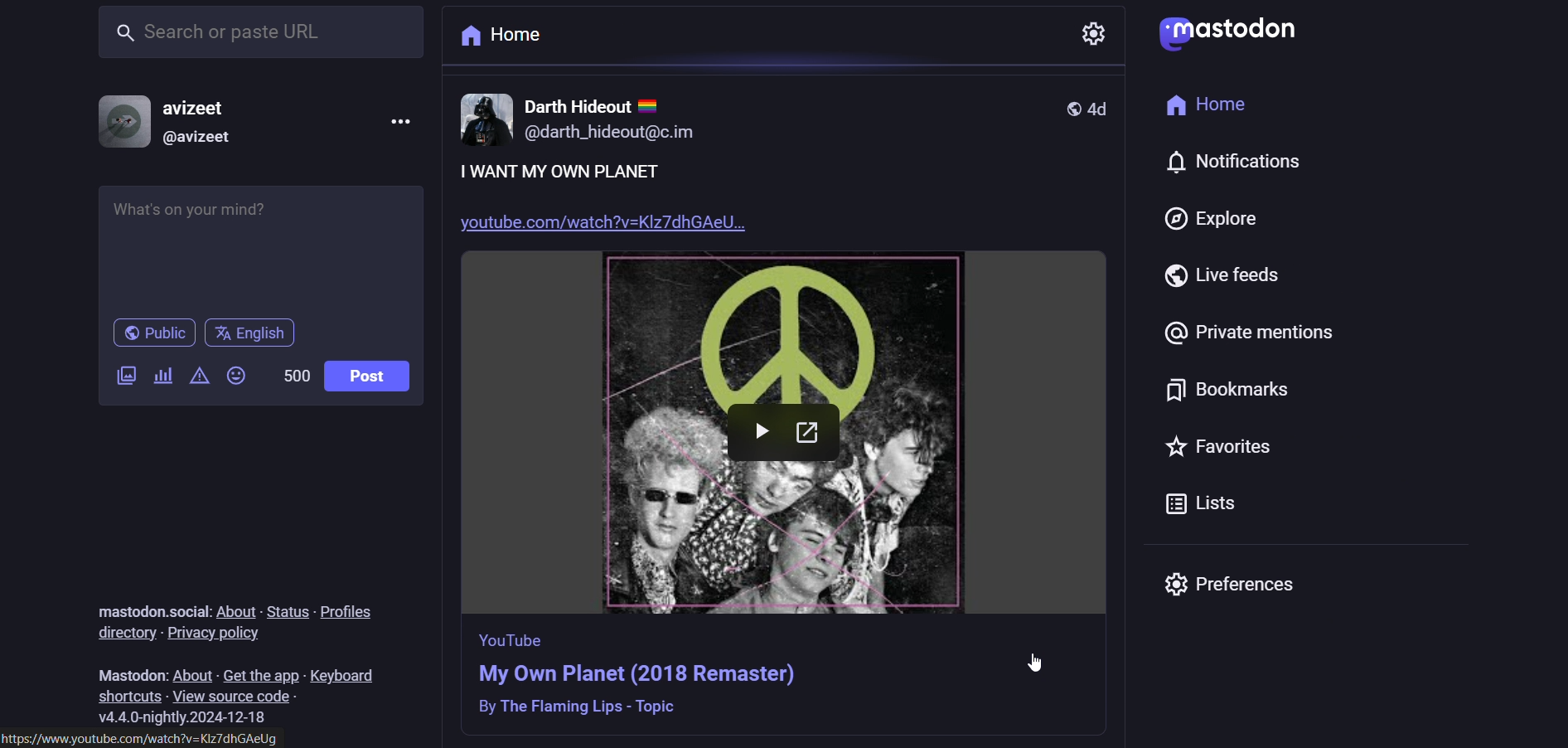 The width and height of the screenshot is (1568, 748). What do you see at coordinates (347, 674) in the screenshot?
I see `keyboard` at bounding box center [347, 674].